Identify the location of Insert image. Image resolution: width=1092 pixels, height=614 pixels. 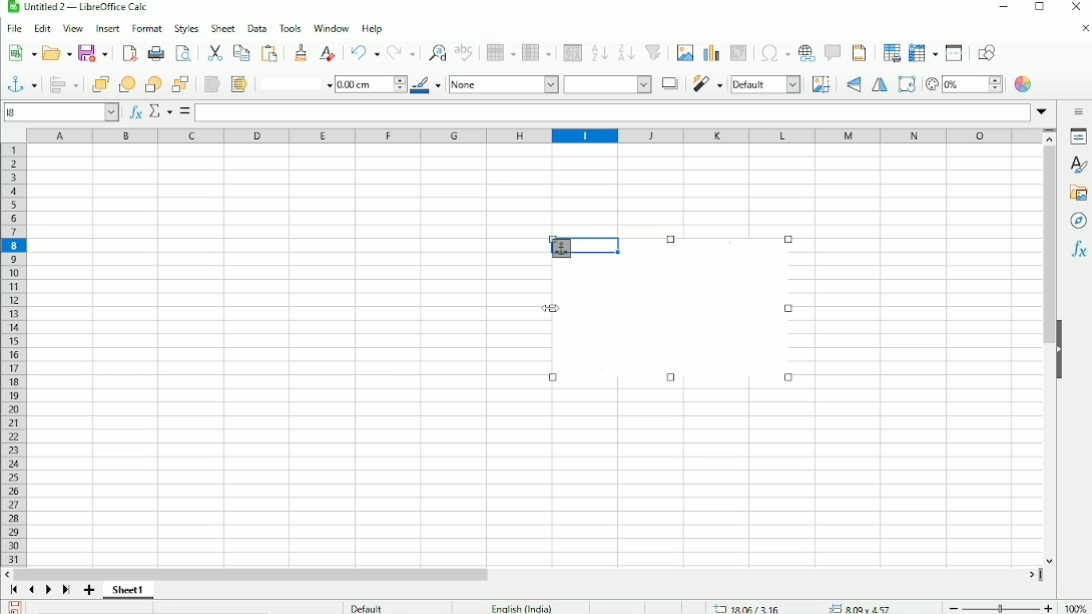
(684, 53).